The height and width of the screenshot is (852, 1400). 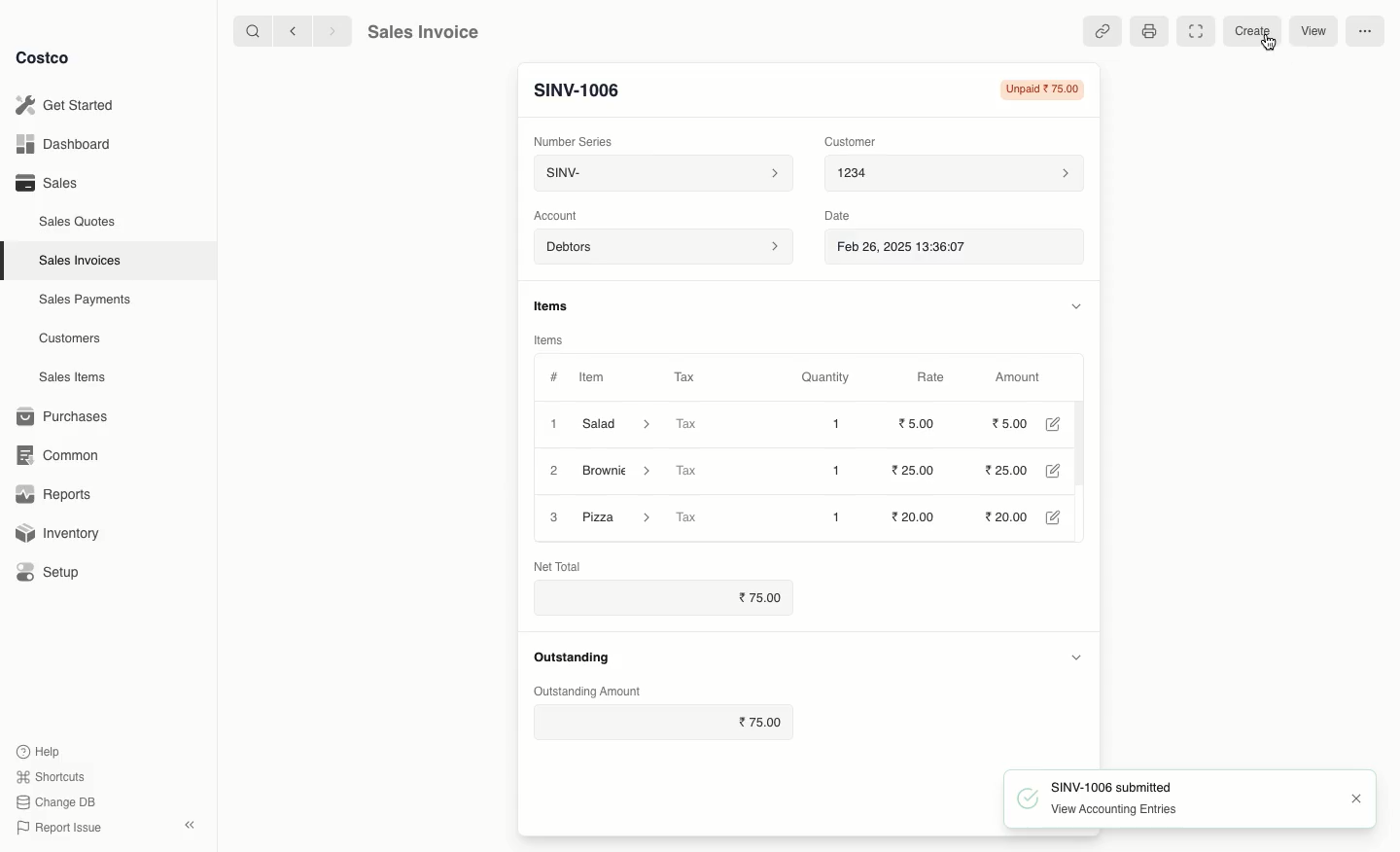 What do you see at coordinates (617, 471) in the screenshot?
I see `Brownie` at bounding box center [617, 471].